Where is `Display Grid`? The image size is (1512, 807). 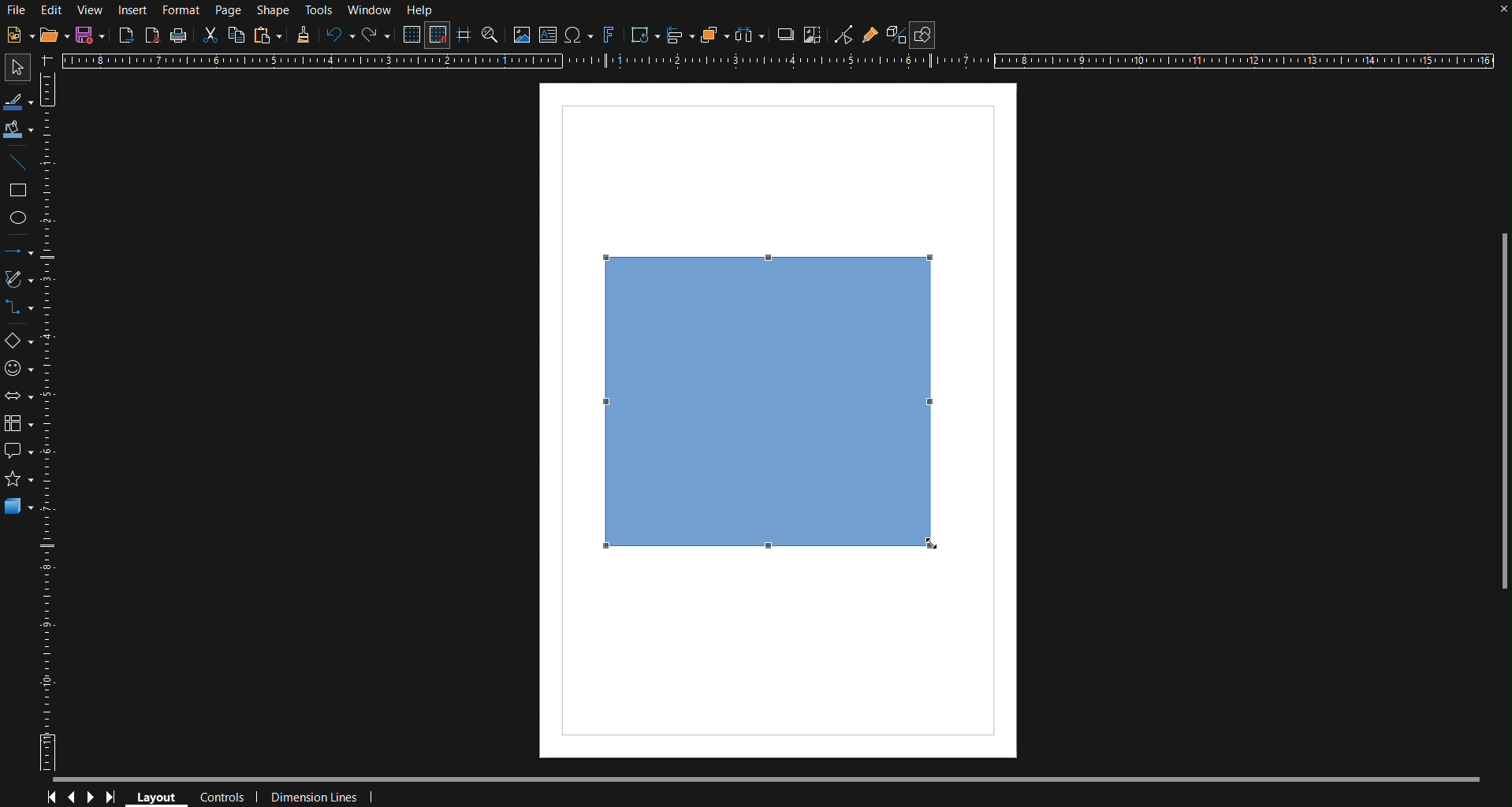 Display Grid is located at coordinates (413, 34).